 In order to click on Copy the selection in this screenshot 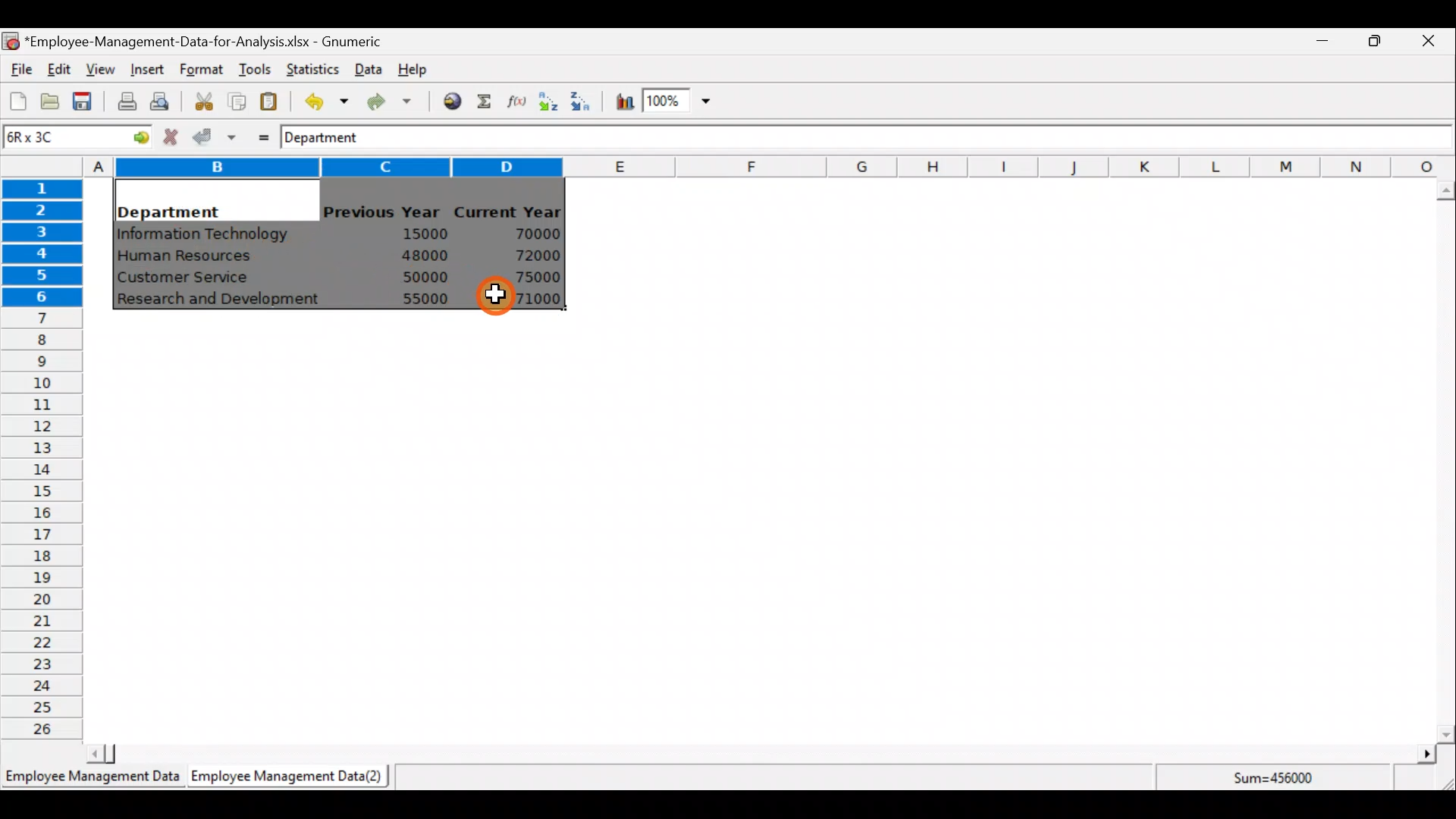, I will do `click(236, 99)`.